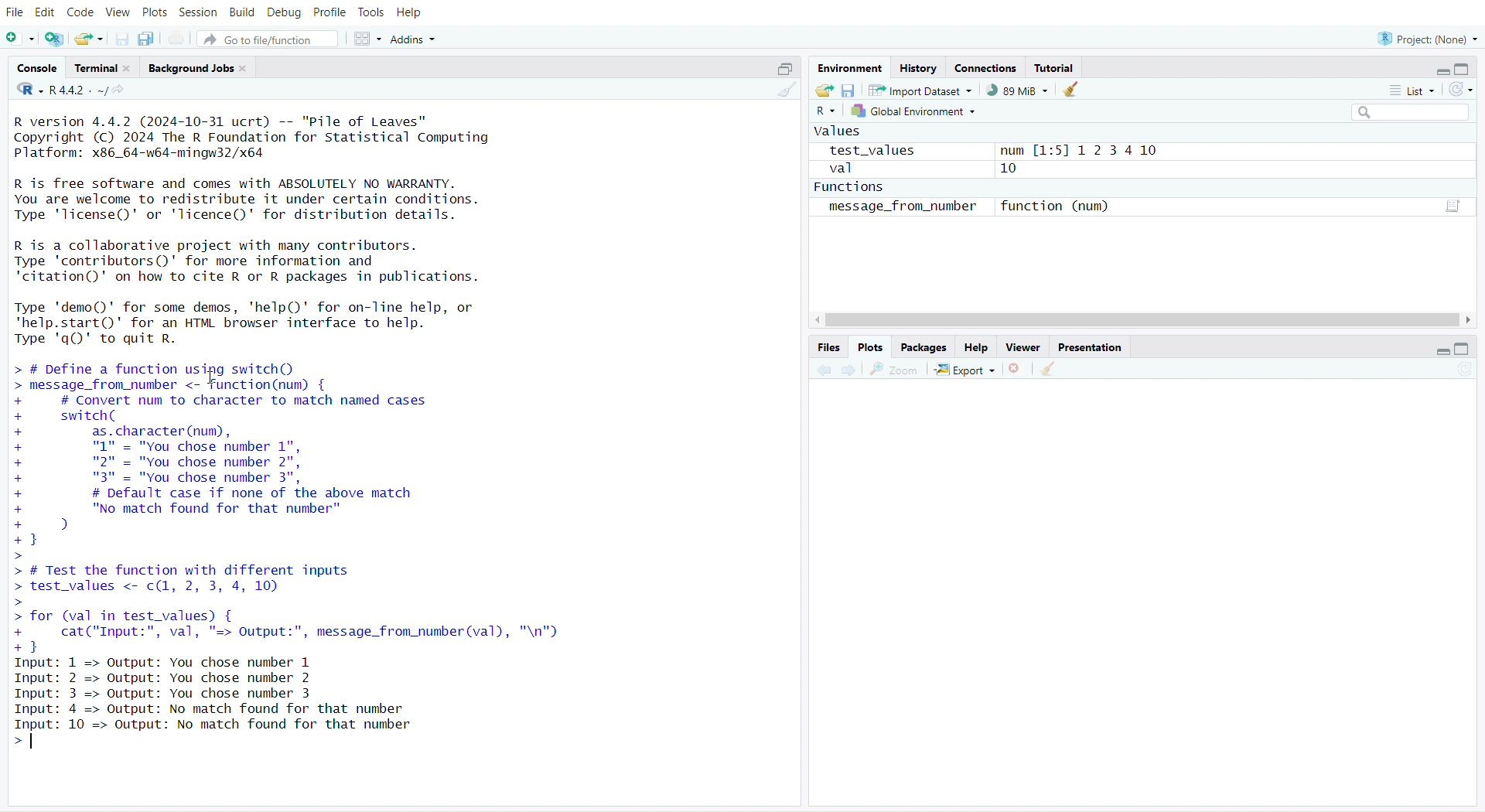 The height and width of the screenshot is (812, 1485). I want to click on Left, so click(816, 321).